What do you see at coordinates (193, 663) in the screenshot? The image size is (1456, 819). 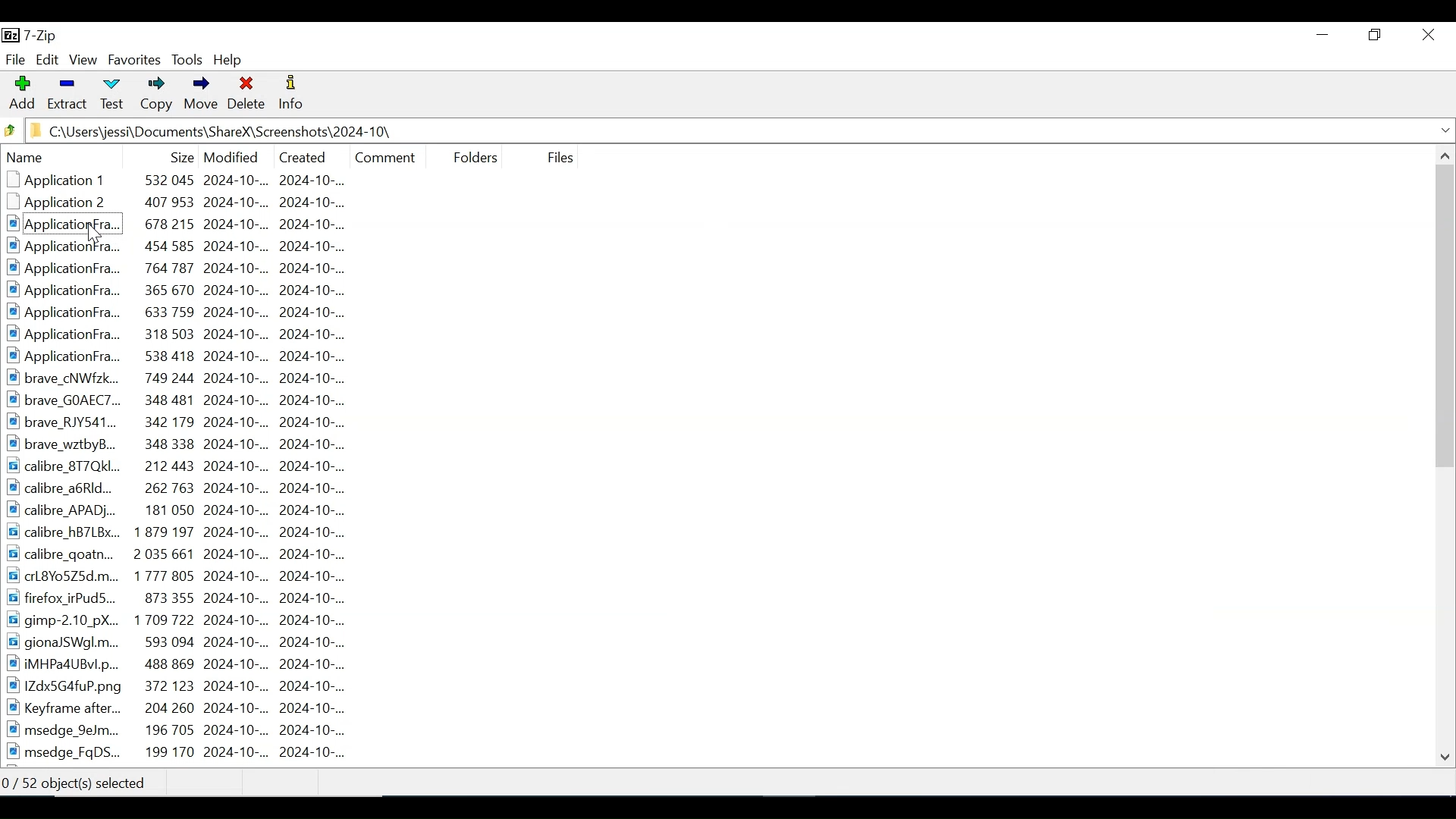 I see ` iMHPa4UBvl.p... 488 869 2024-10-.. 2024-10-...` at bounding box center [193, 663].